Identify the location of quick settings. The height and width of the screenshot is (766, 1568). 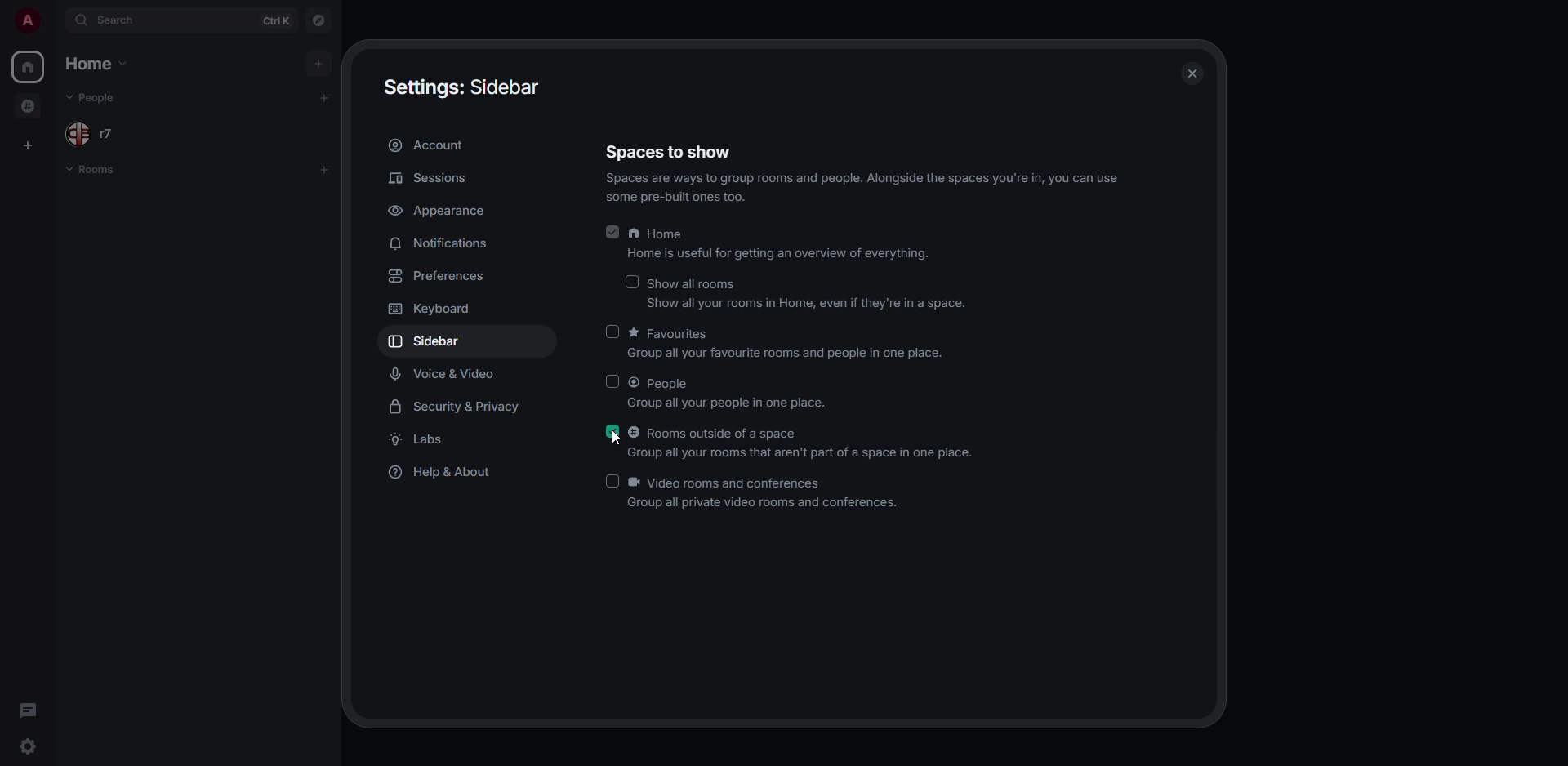
(28, 745).